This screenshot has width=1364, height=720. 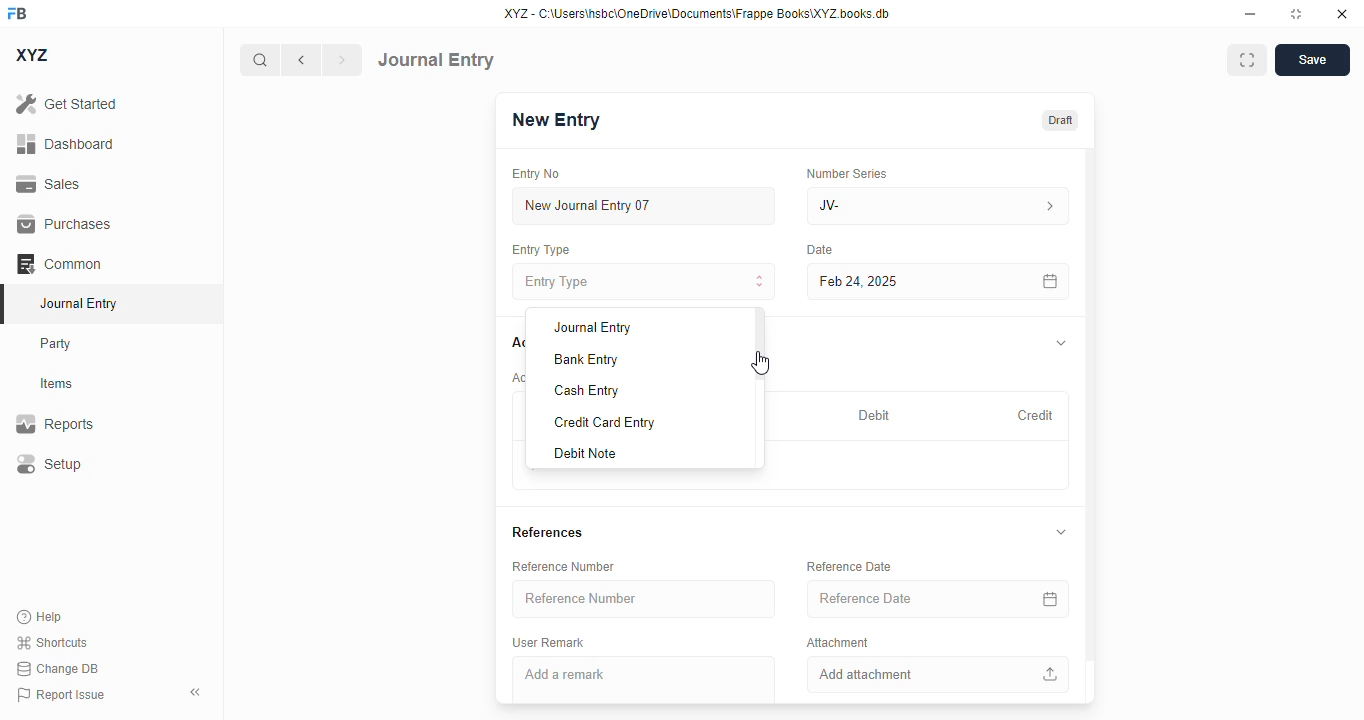 What do you see at coordinates (875, 415) in the screenshot?
I see `debit` at bounding box center [875, 415].